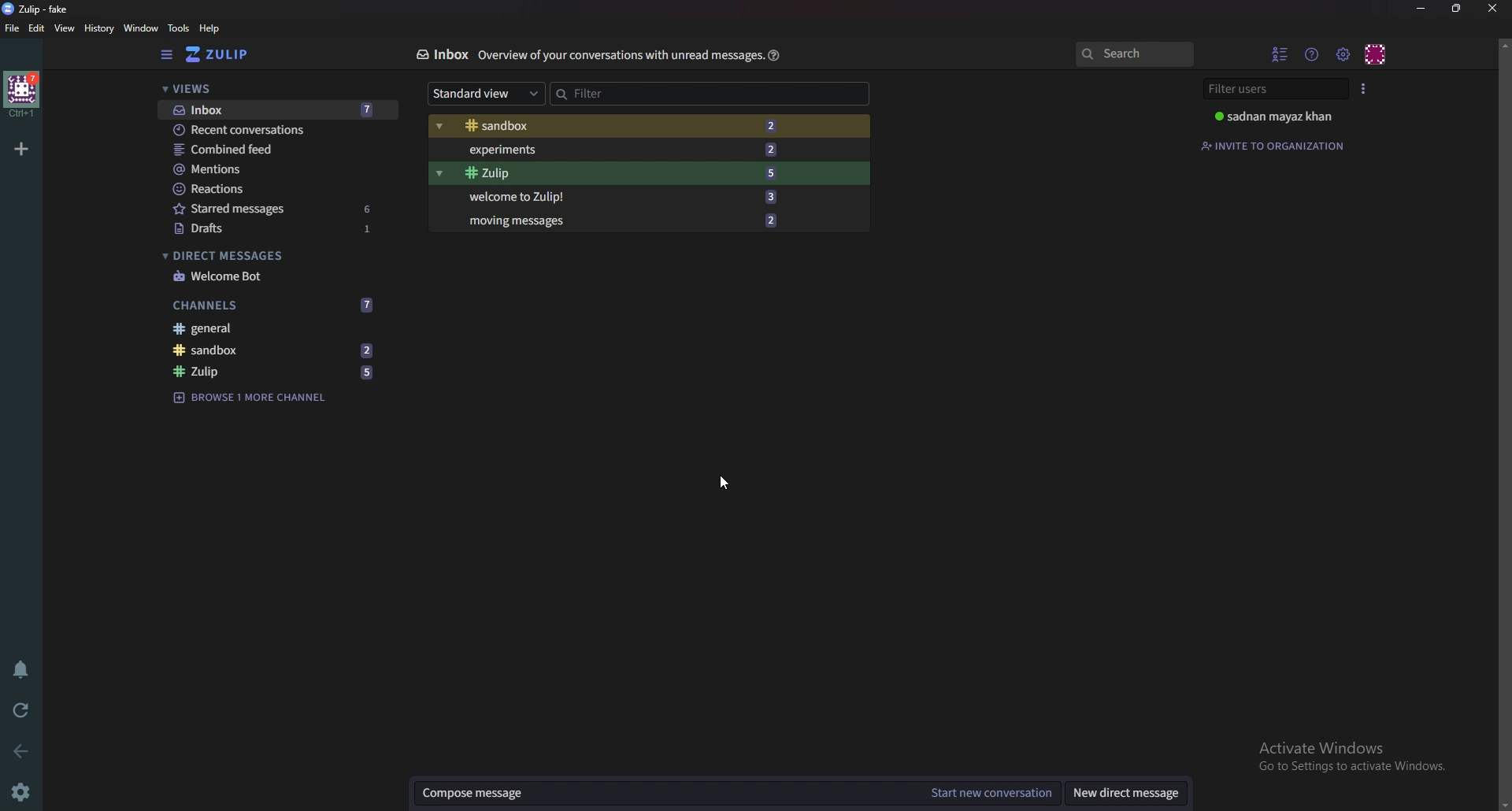  What do you see at coordinates (100, 28) in the screenshot?
I see `History` at bounding box center [100, 28].